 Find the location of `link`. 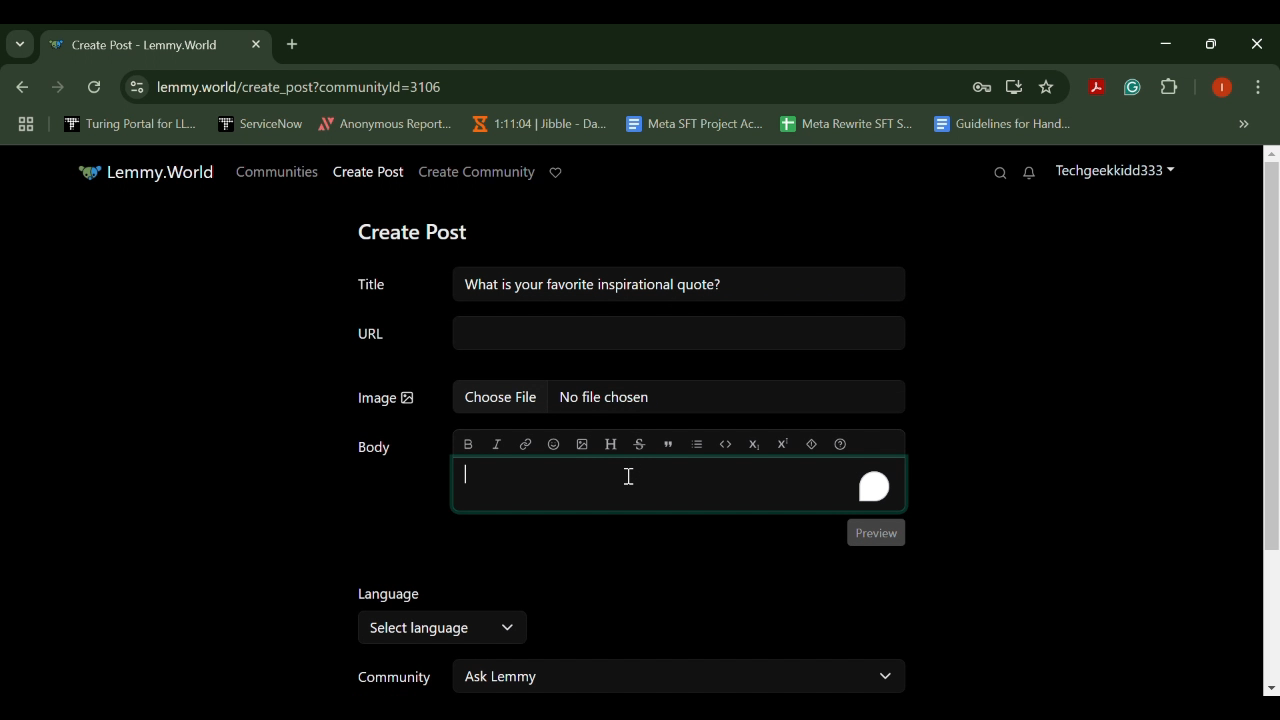

link is located at coordinates (526, 444).